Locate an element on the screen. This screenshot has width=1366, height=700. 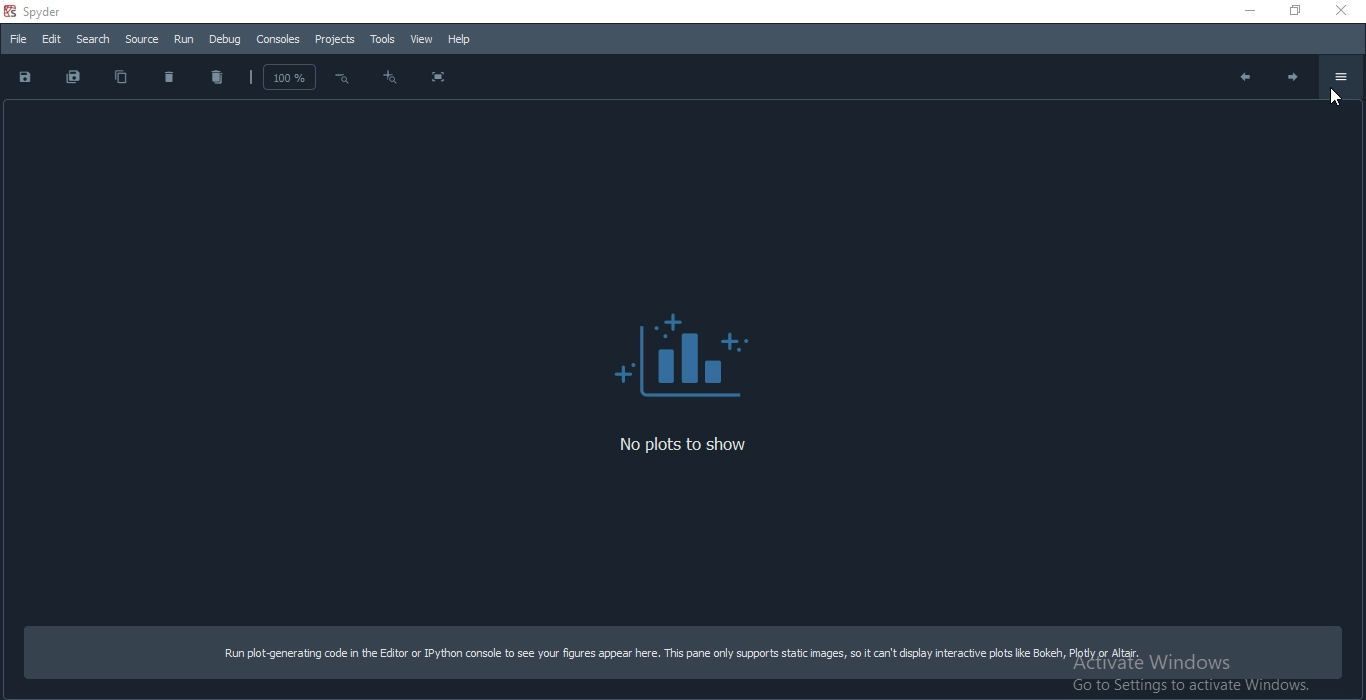
Save is located at coordinates (25, 77).